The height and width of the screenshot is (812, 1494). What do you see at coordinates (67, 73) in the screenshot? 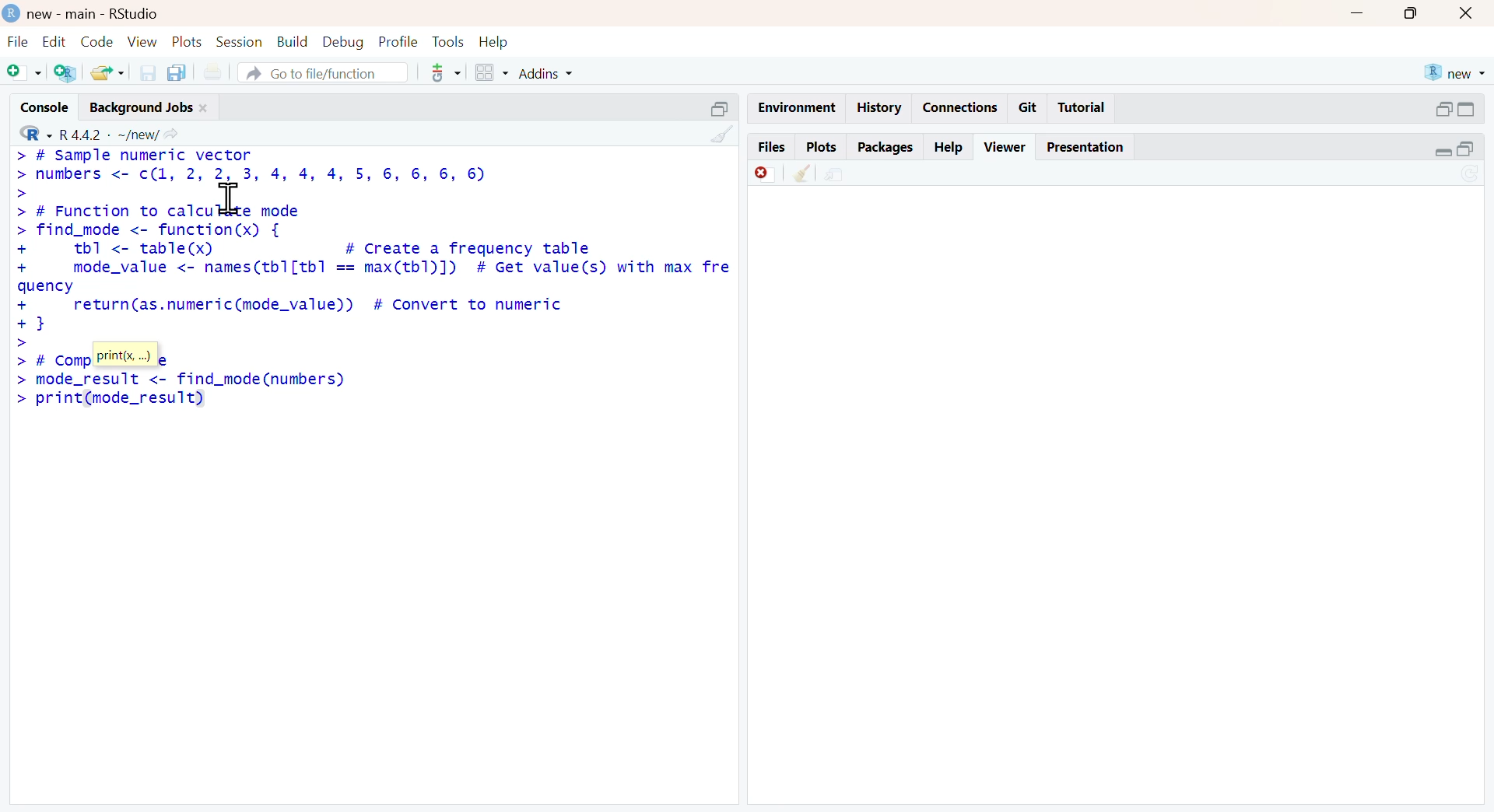
I see `add R file` at bounding box center [67, 73].